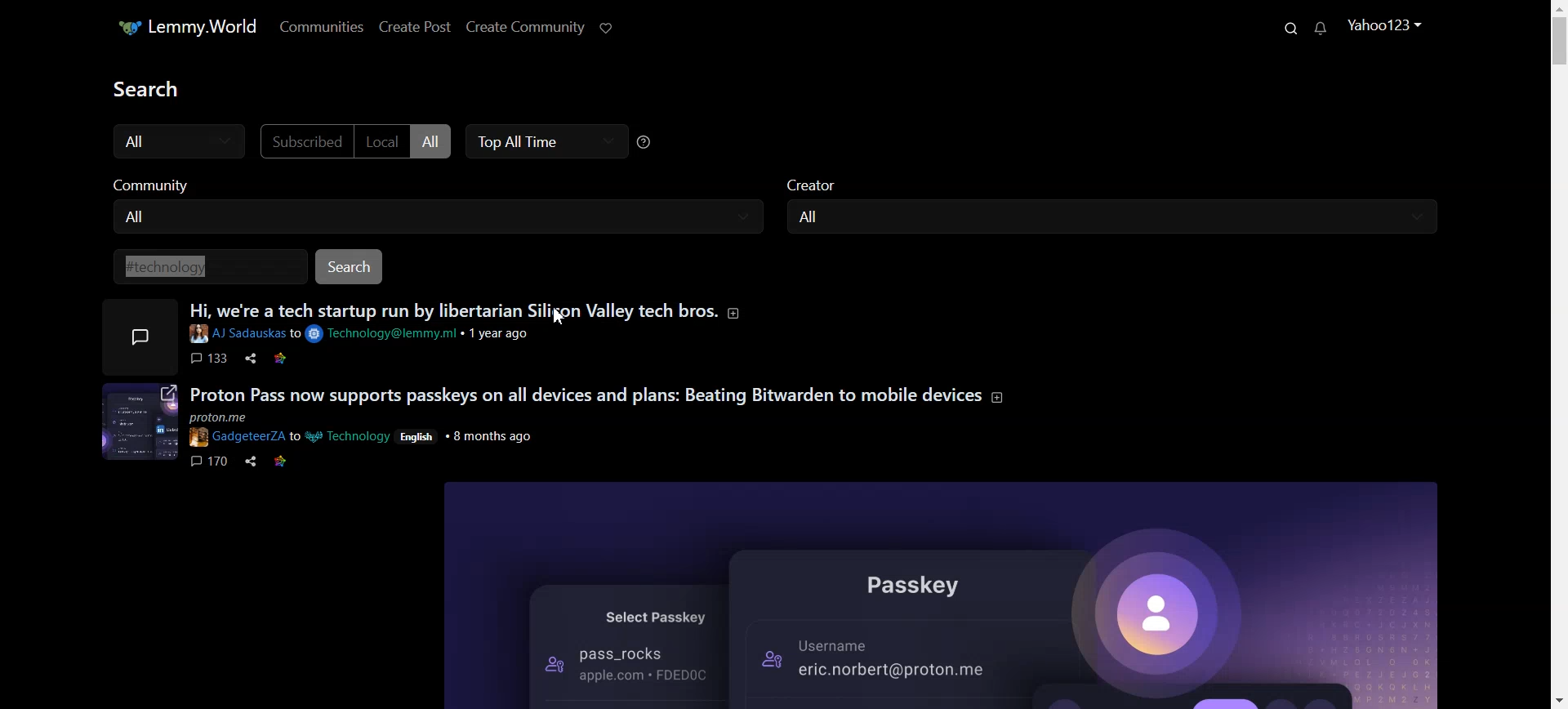  Describe the element at coordinates (466, 435) in the screenshot. I see `english 8 months ago` at that location.